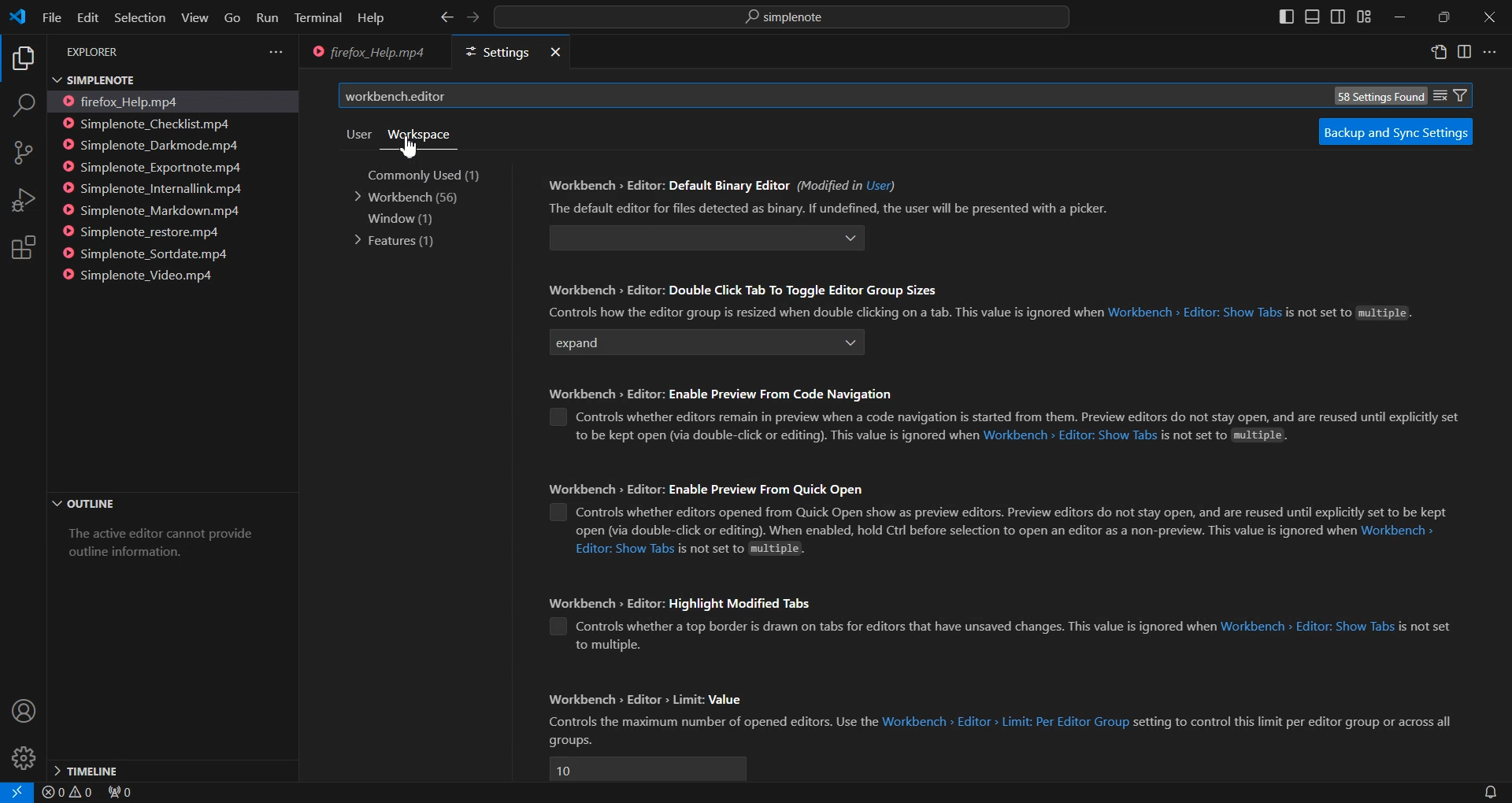  What do you see at coordinates (153, 145) in the screenshot?
I see `Simplenote_Darkmode.mp4` at bounding box center [153, 145].